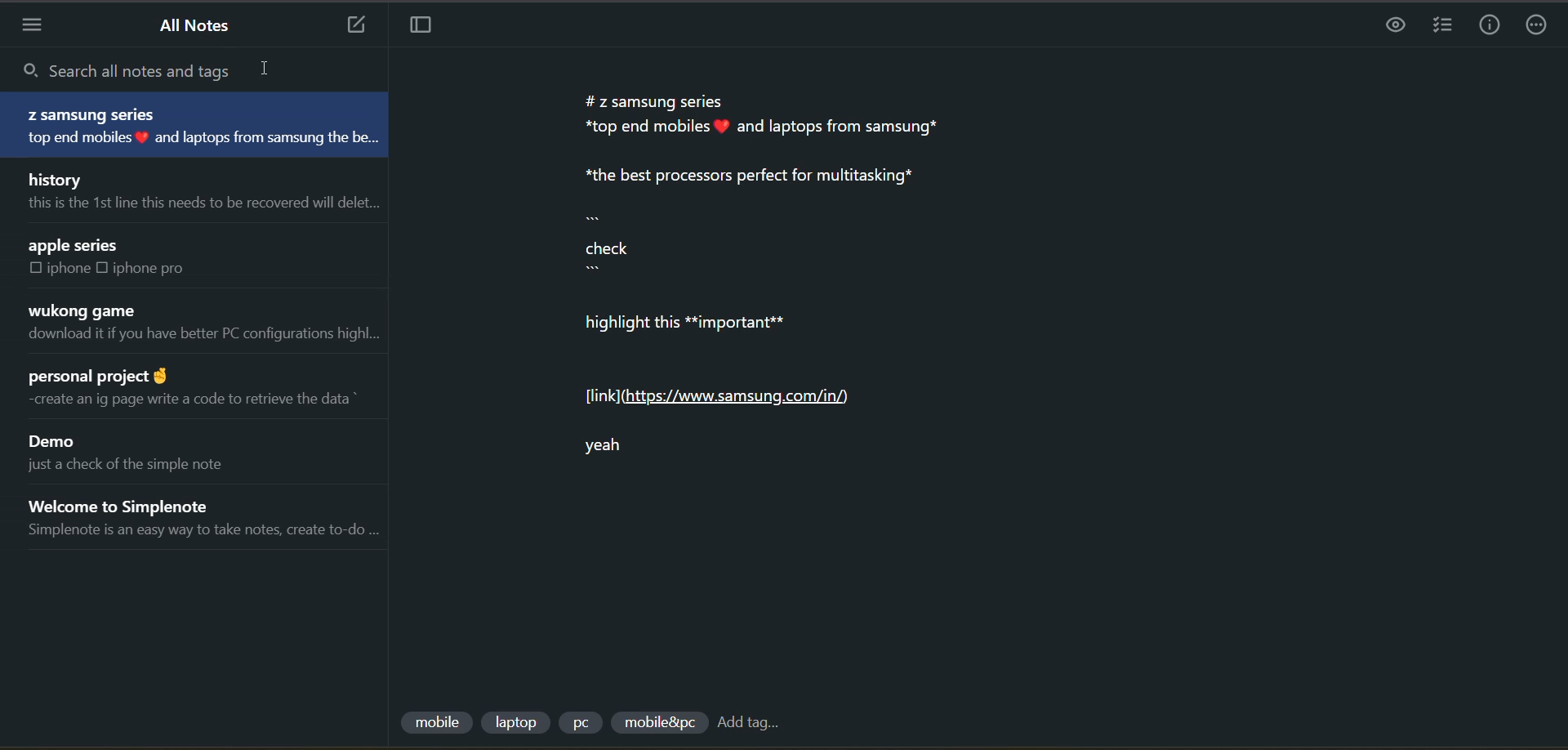 This screenshot has width=1568, height=750. What do you see at coordinates (181, 73) in the screenshot?
I see `search all notes and tags` at bounding box center [181, 73].